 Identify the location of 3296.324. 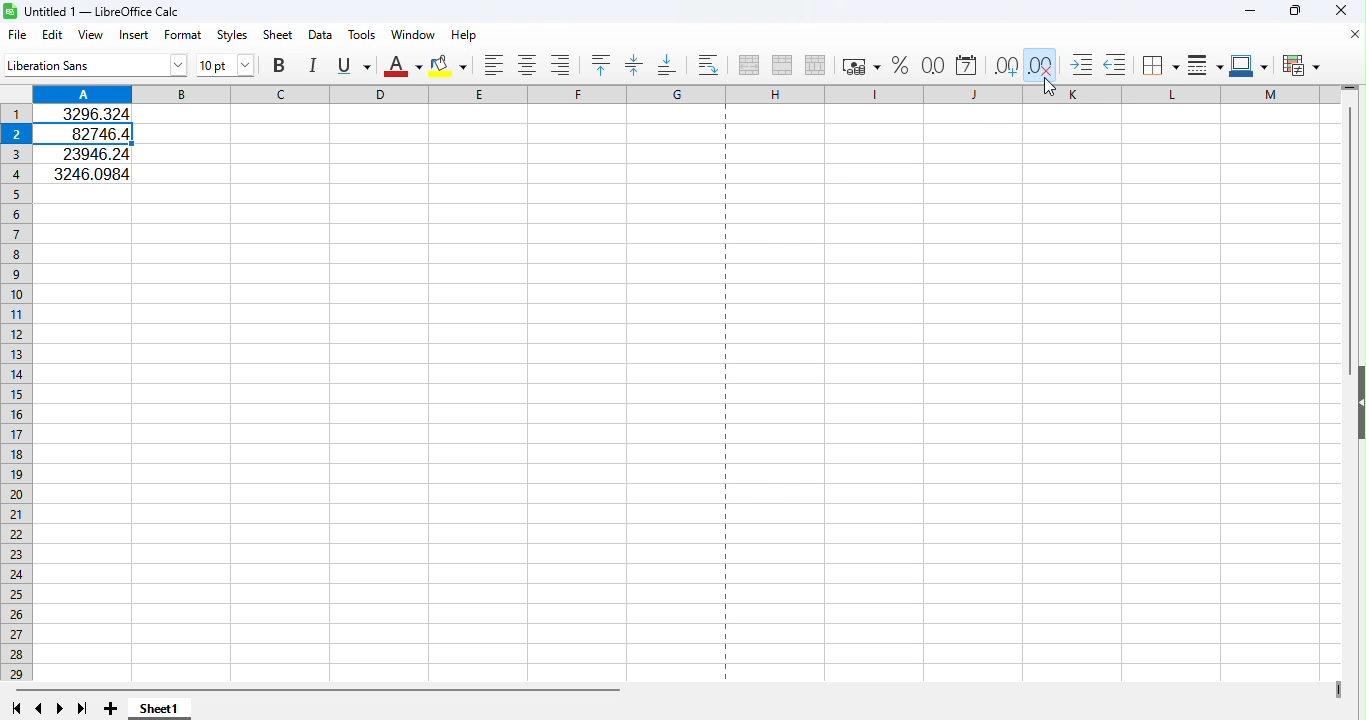
(95, 113).